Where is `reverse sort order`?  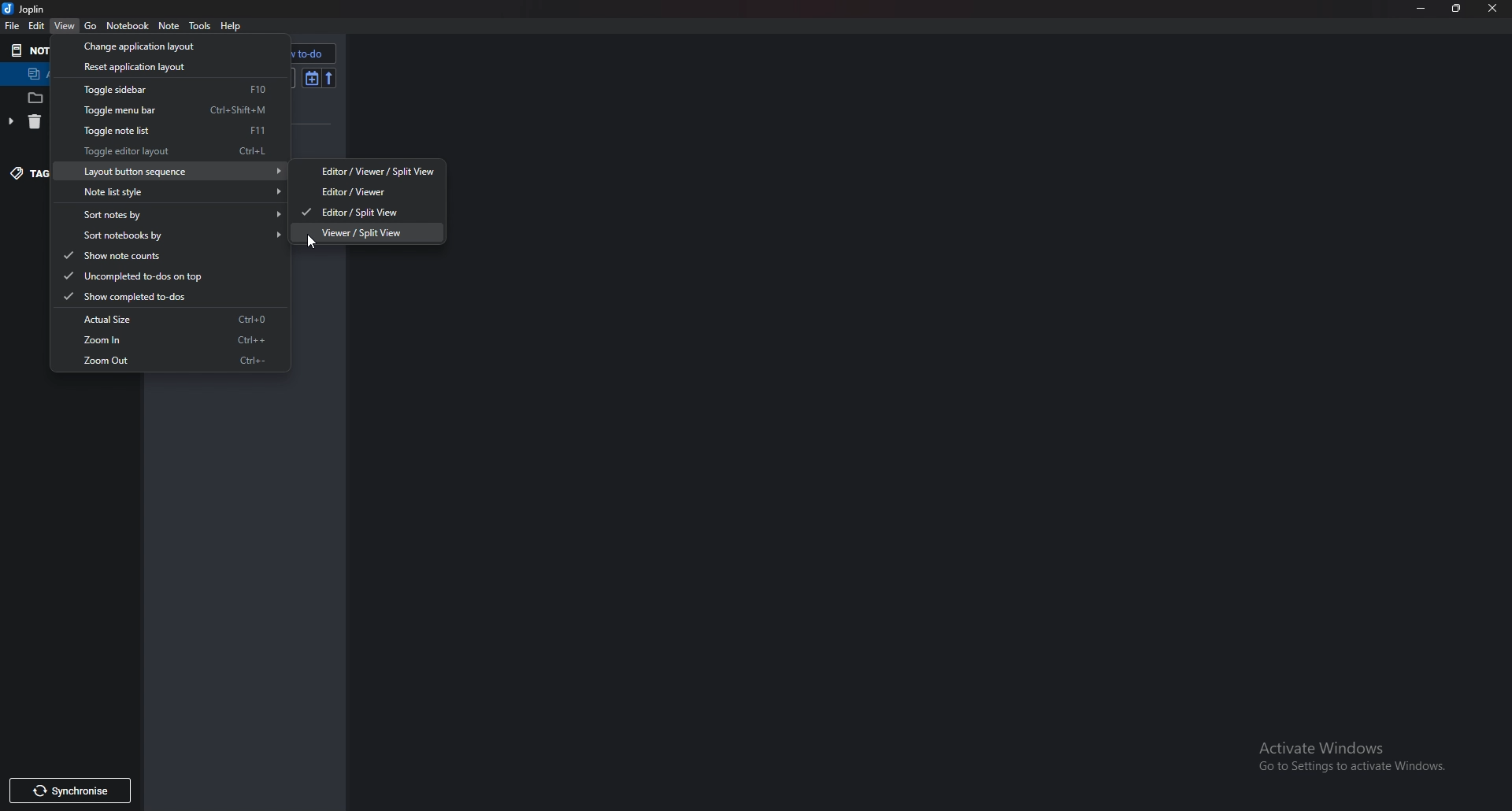
reverse sort order is located at coordinates (329, 78).